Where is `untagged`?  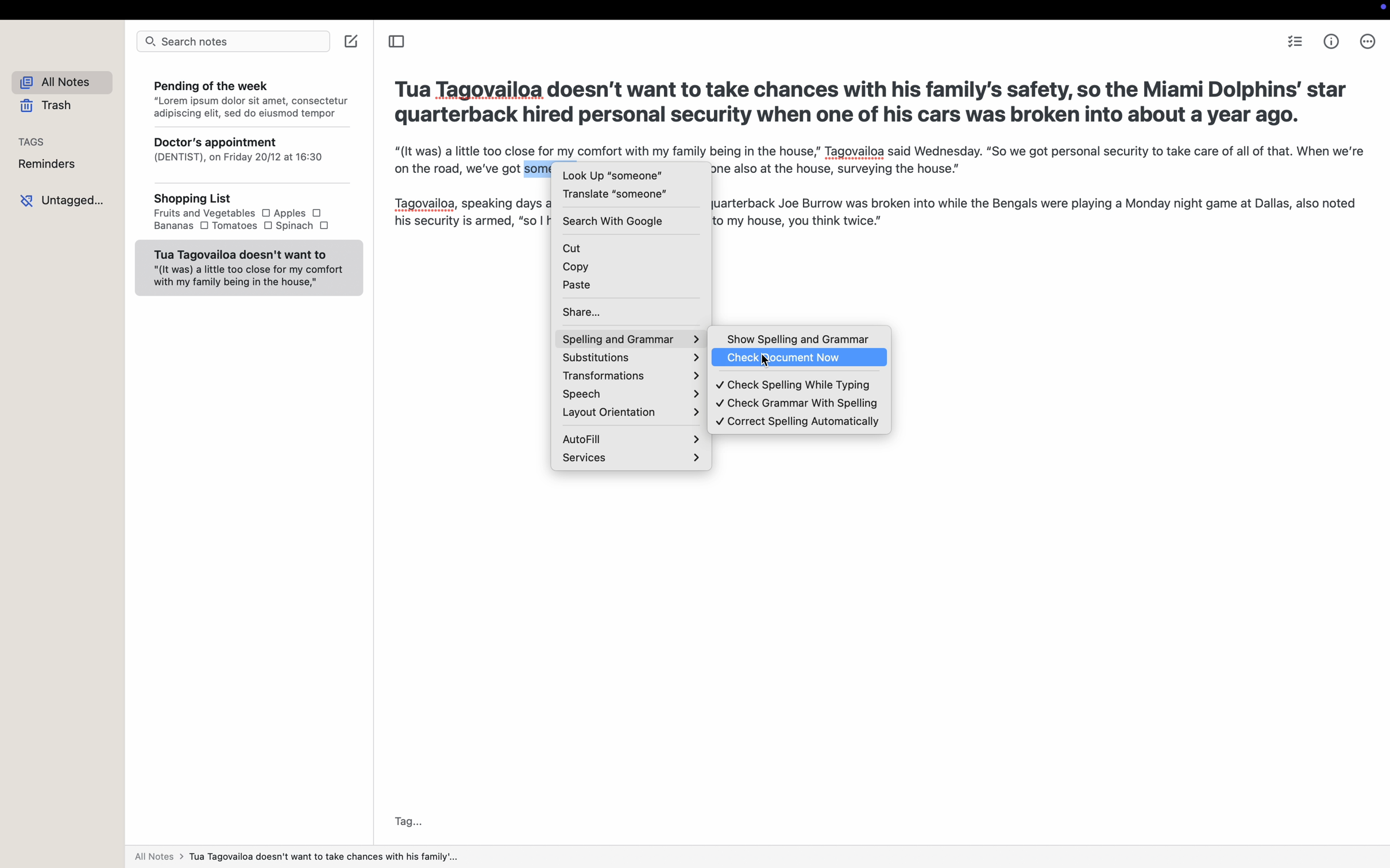 untagged is located at coordinates (63, 200).